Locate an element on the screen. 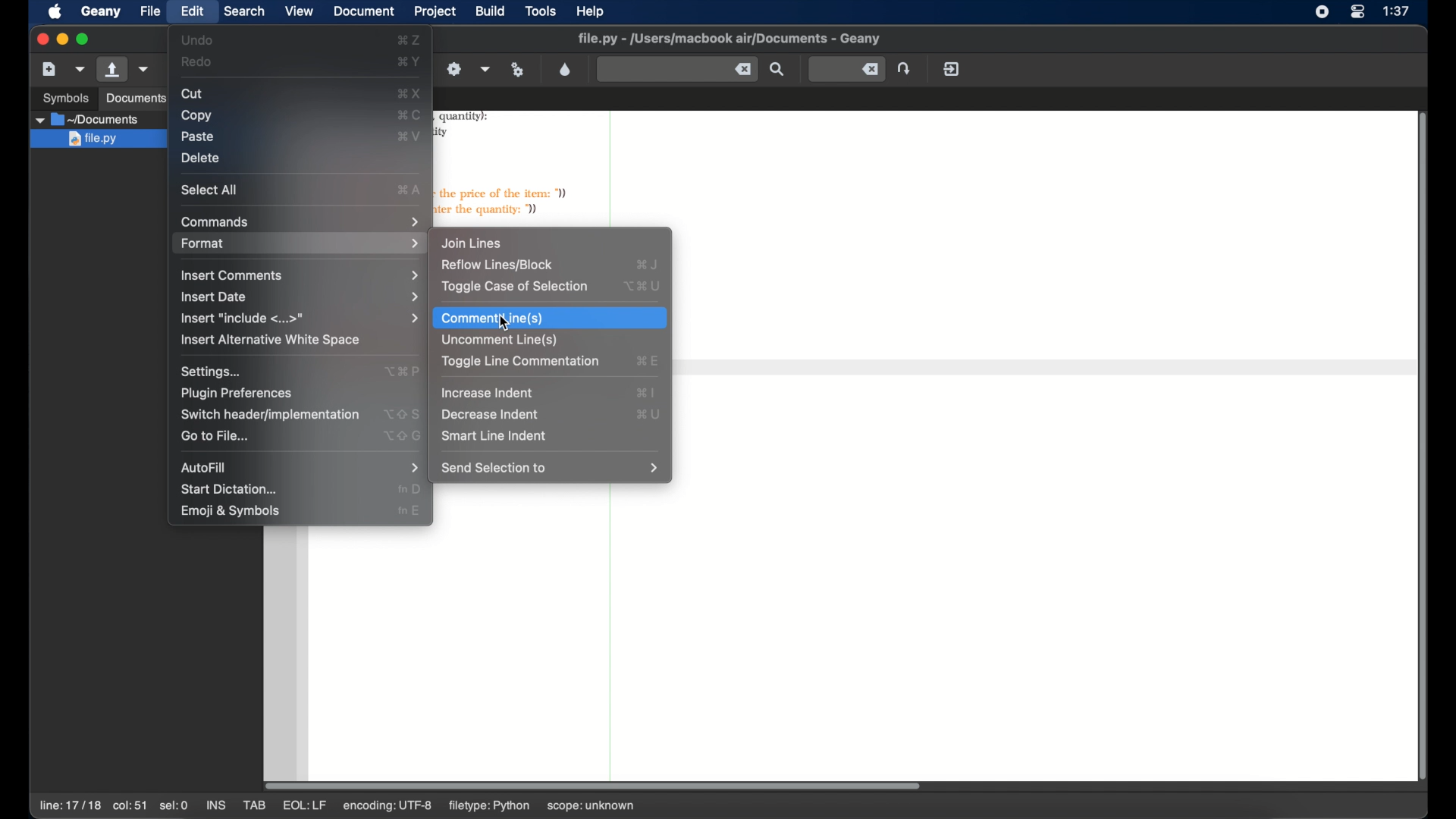  join lines is located at coordinates (472, 243).